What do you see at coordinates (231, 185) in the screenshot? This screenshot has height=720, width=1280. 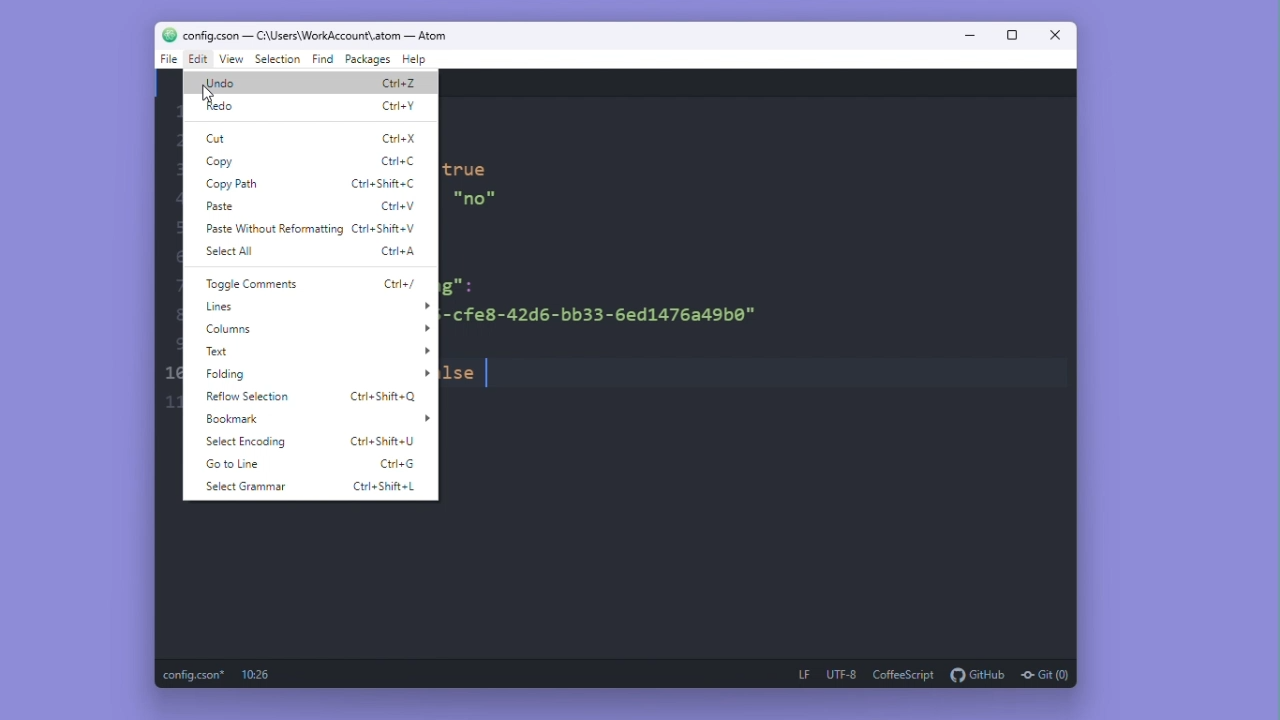 I see `copy path` at bounding box center [231, 185].